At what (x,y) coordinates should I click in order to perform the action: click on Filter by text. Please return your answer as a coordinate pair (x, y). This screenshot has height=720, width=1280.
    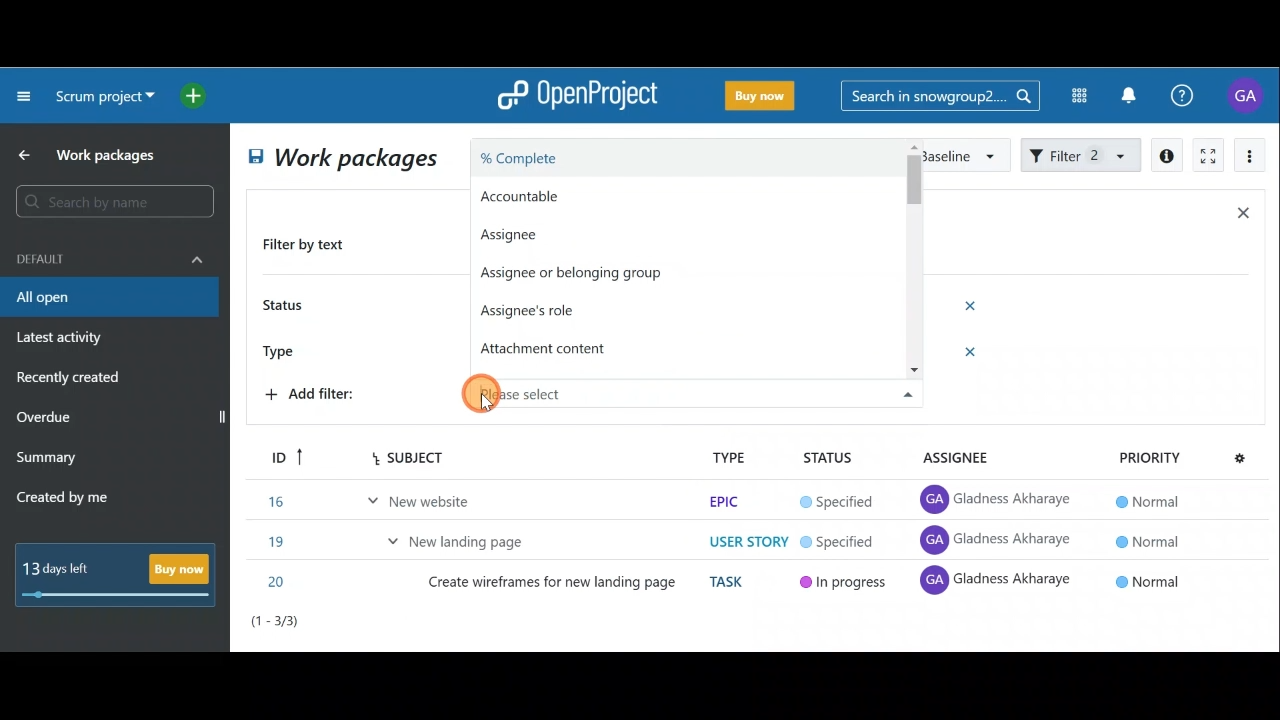
    Looking at the image, I should click on (312, 246).